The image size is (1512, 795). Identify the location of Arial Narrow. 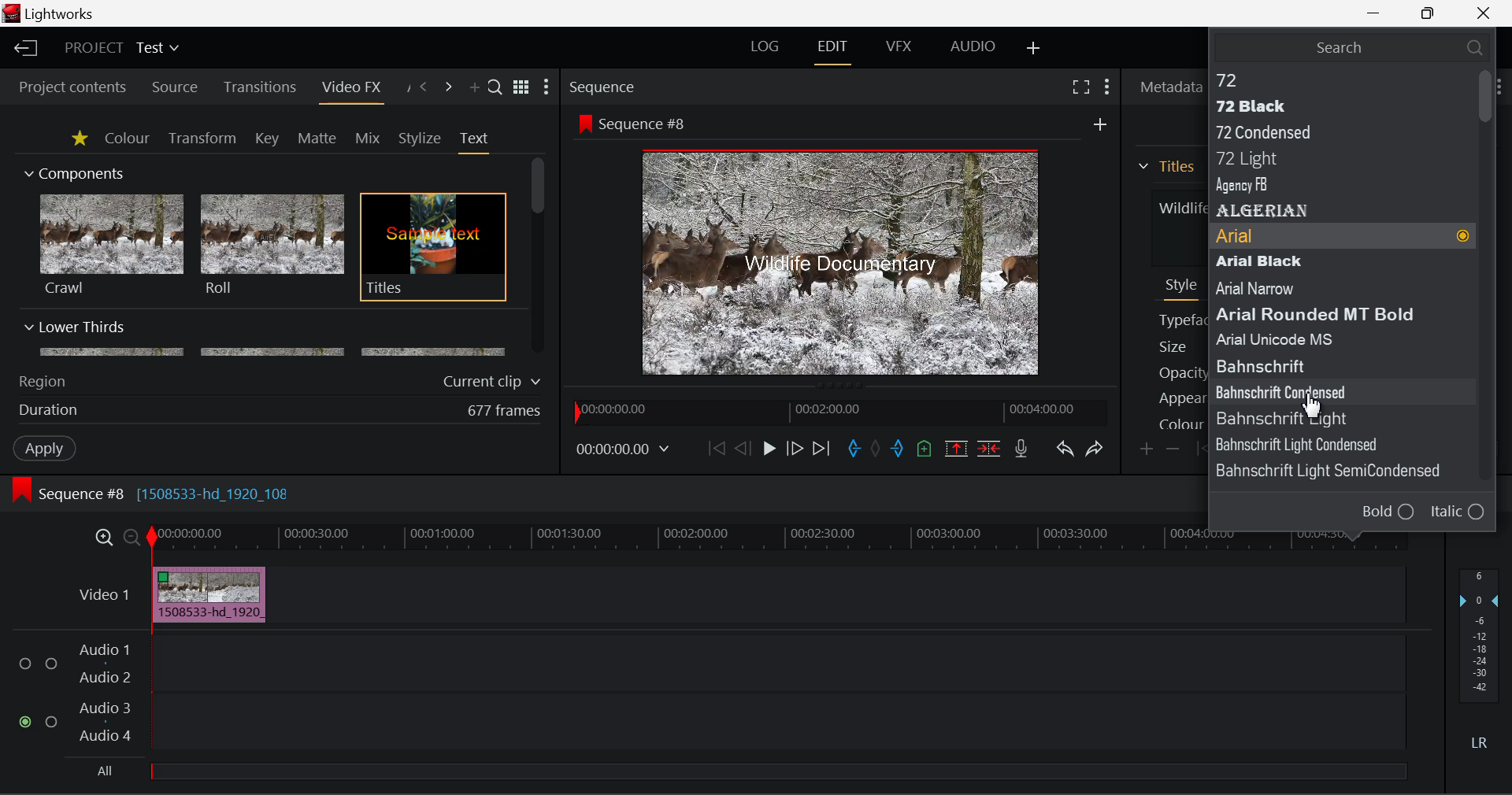
(1282, 288).